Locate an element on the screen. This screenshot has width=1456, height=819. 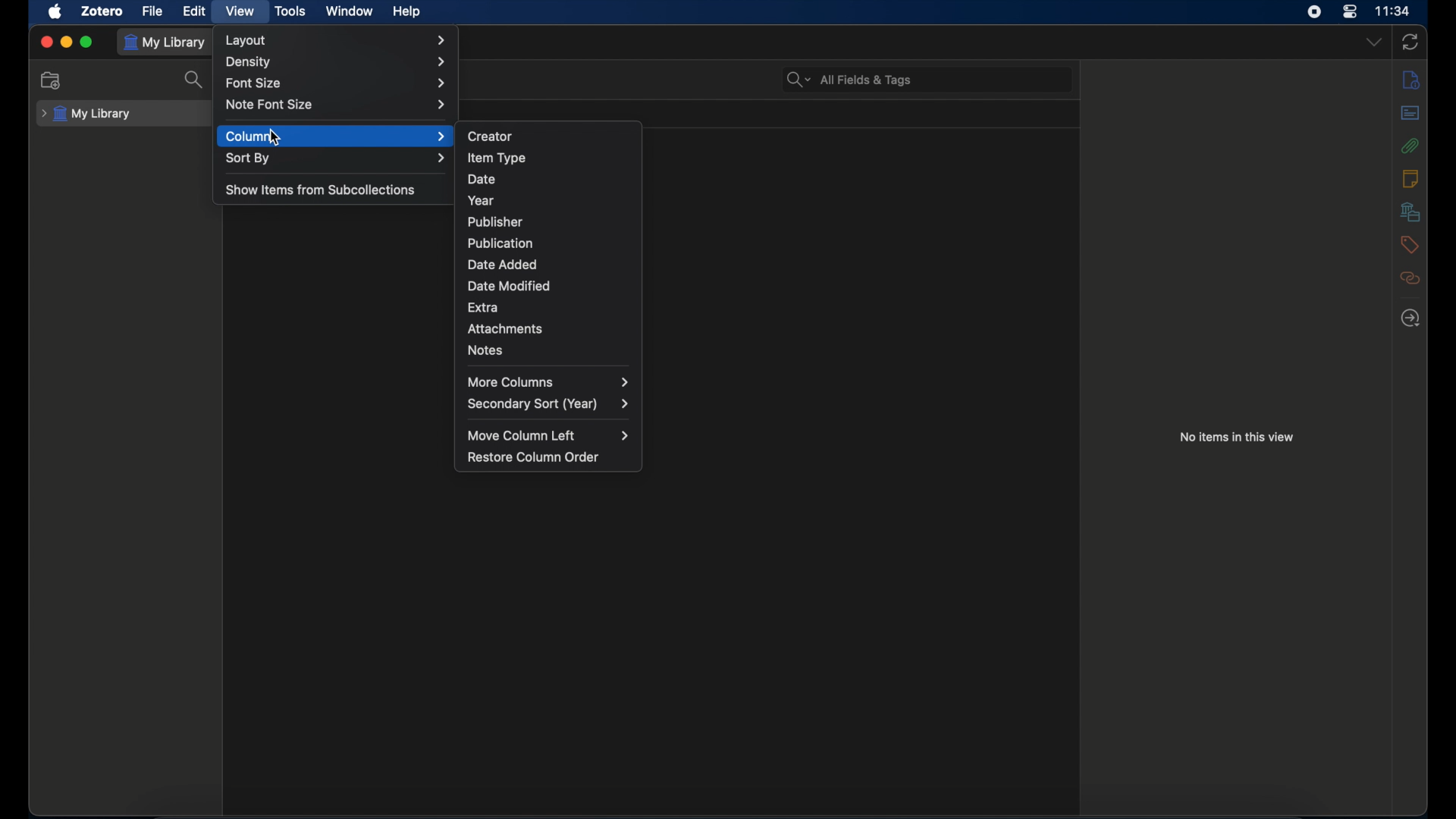
year is located at coordinates (482, 200).